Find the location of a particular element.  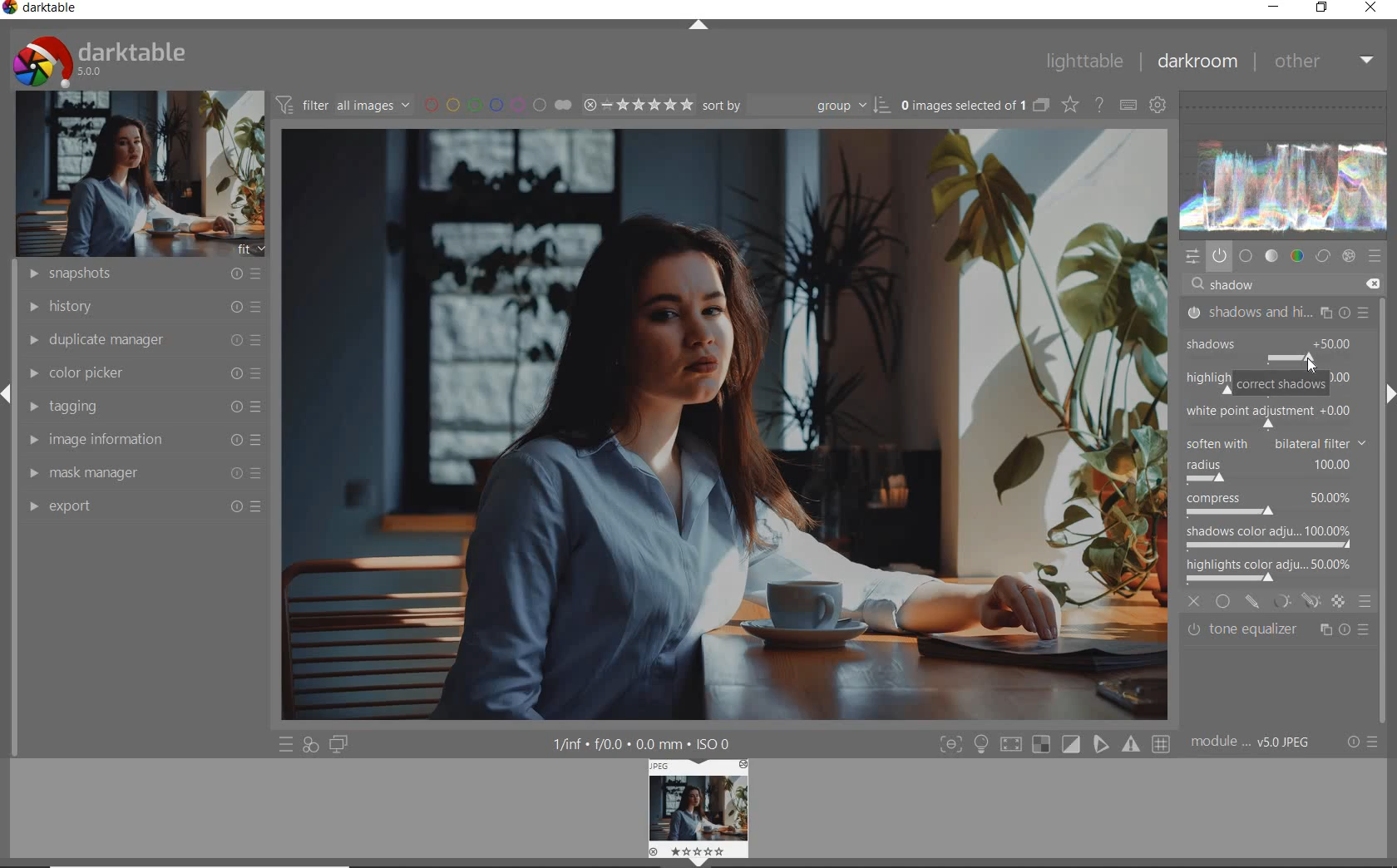

filter all images is located at coordinates (343, 104).